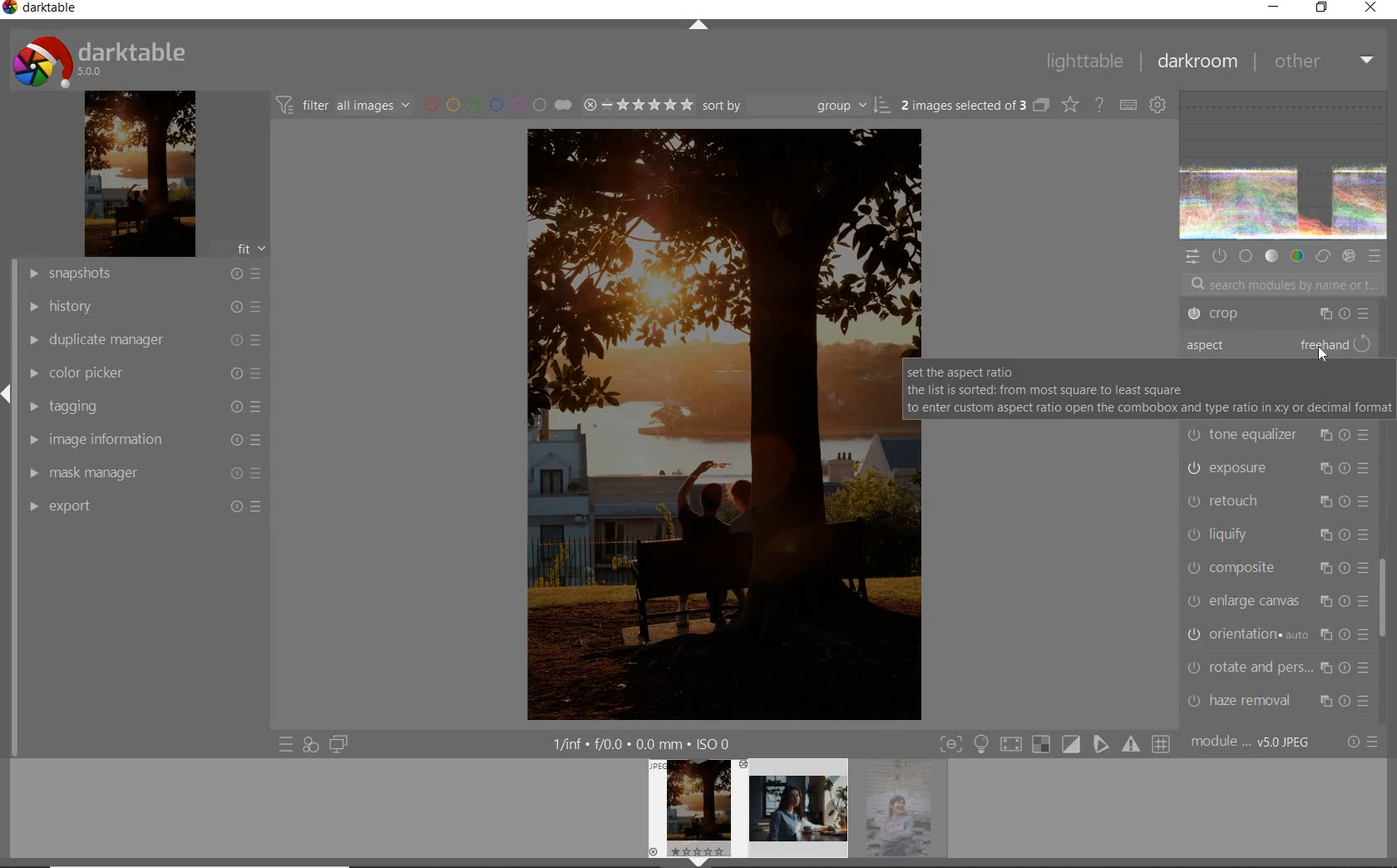 Image resolution: width=1397 pixels, height=868 pixels. Describe the element at coordinates (1321, 8) in the screenshot. I see `restore` at that location.